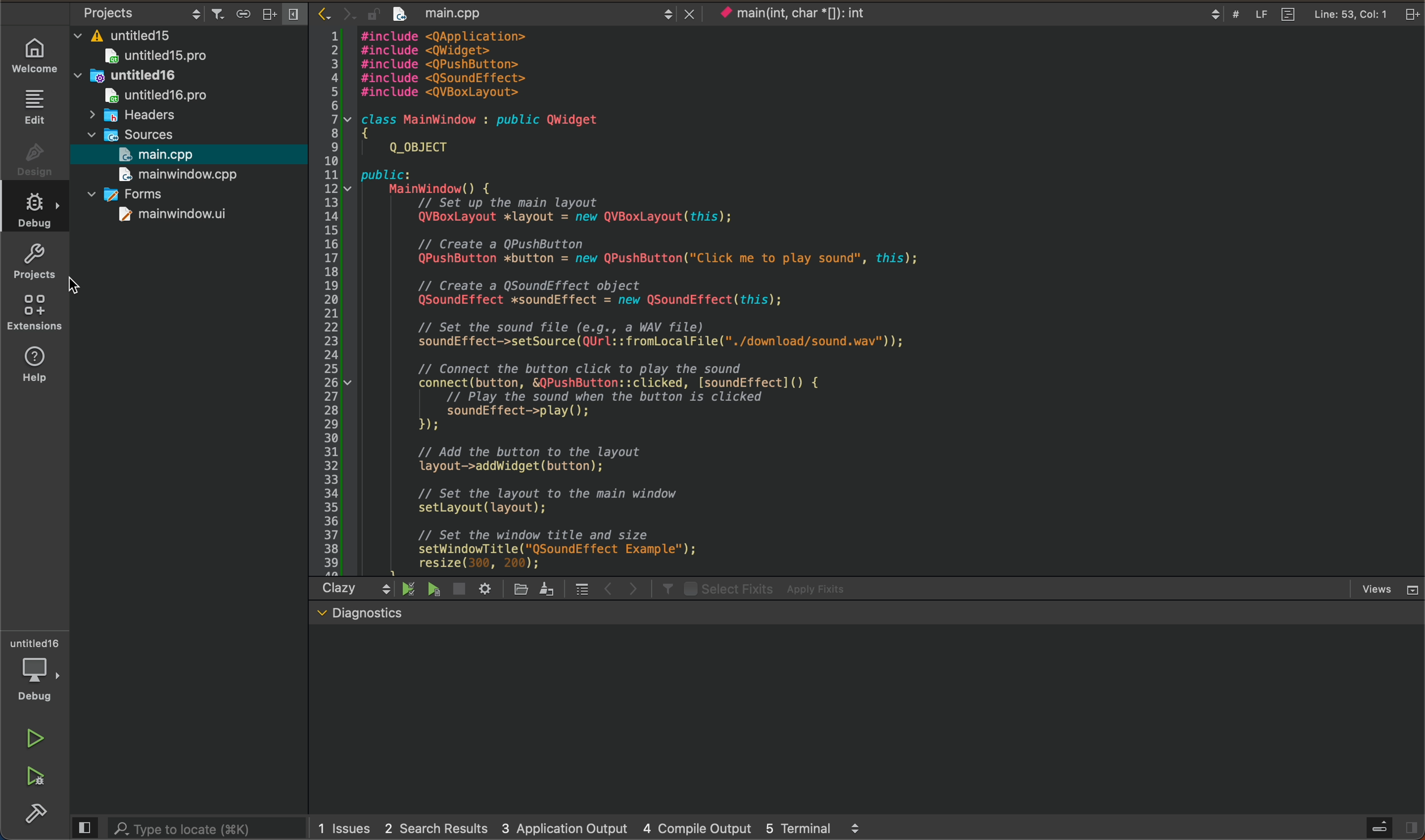 The image size is (1425, 840). I want to click on folder, so click(514, 590).